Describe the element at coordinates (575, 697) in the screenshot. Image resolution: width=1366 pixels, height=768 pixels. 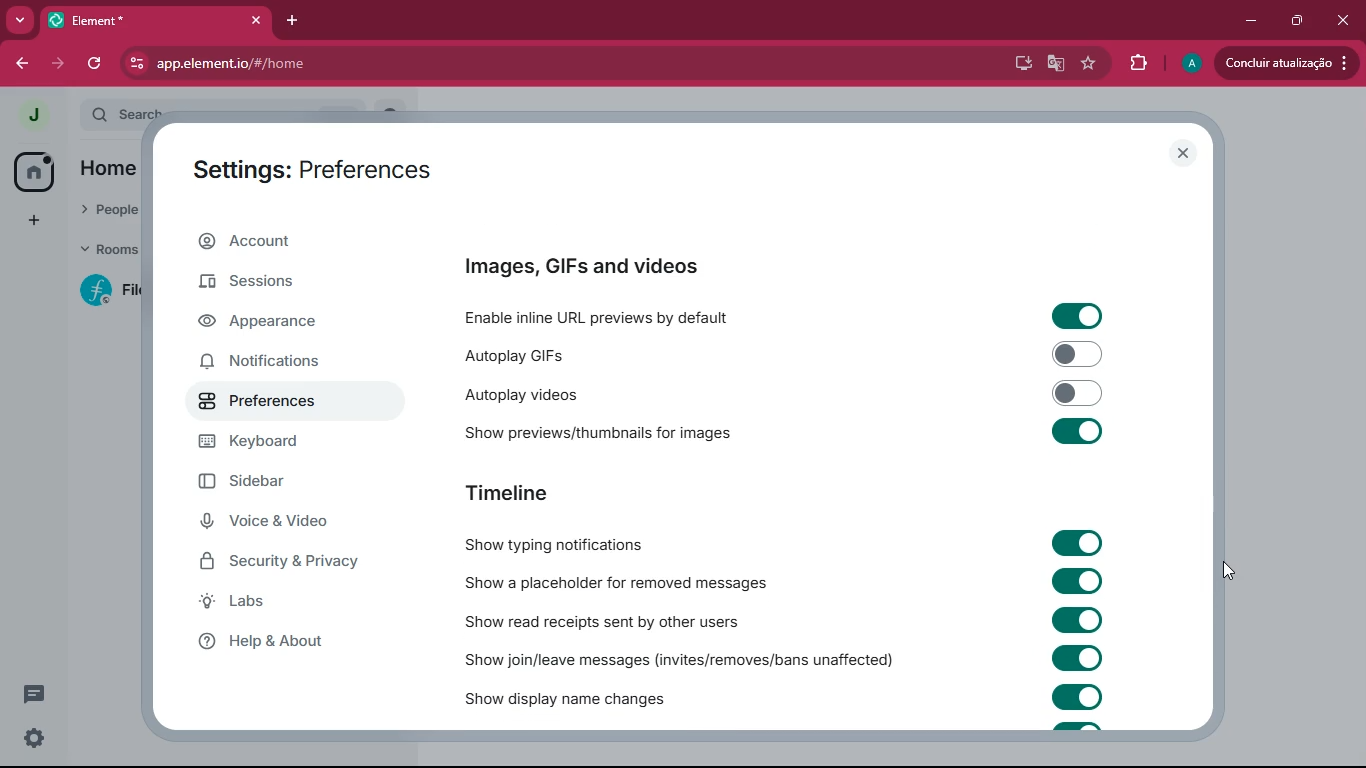
I see `show display name changed` at that location.